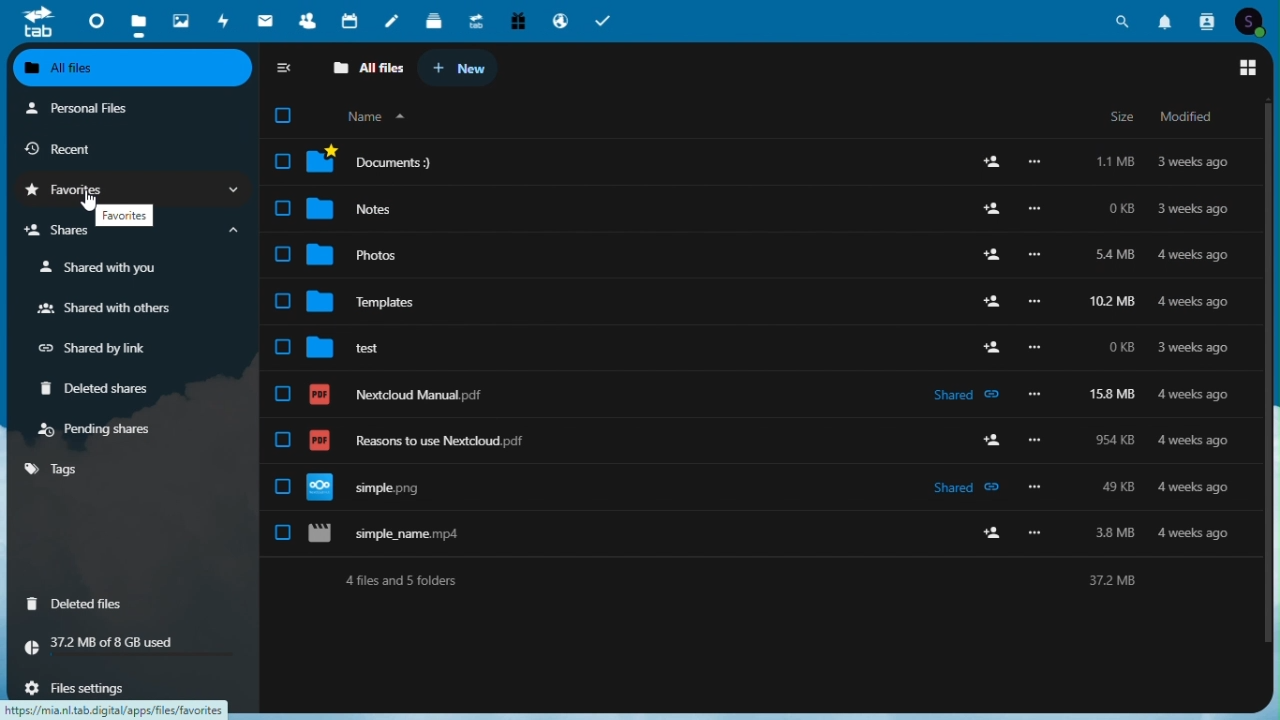 This screenshot has width=1280, height=720. What do you see at coordinates (369, 68) in the screenshot?
I see `all files` at bounding box center [369, 68].